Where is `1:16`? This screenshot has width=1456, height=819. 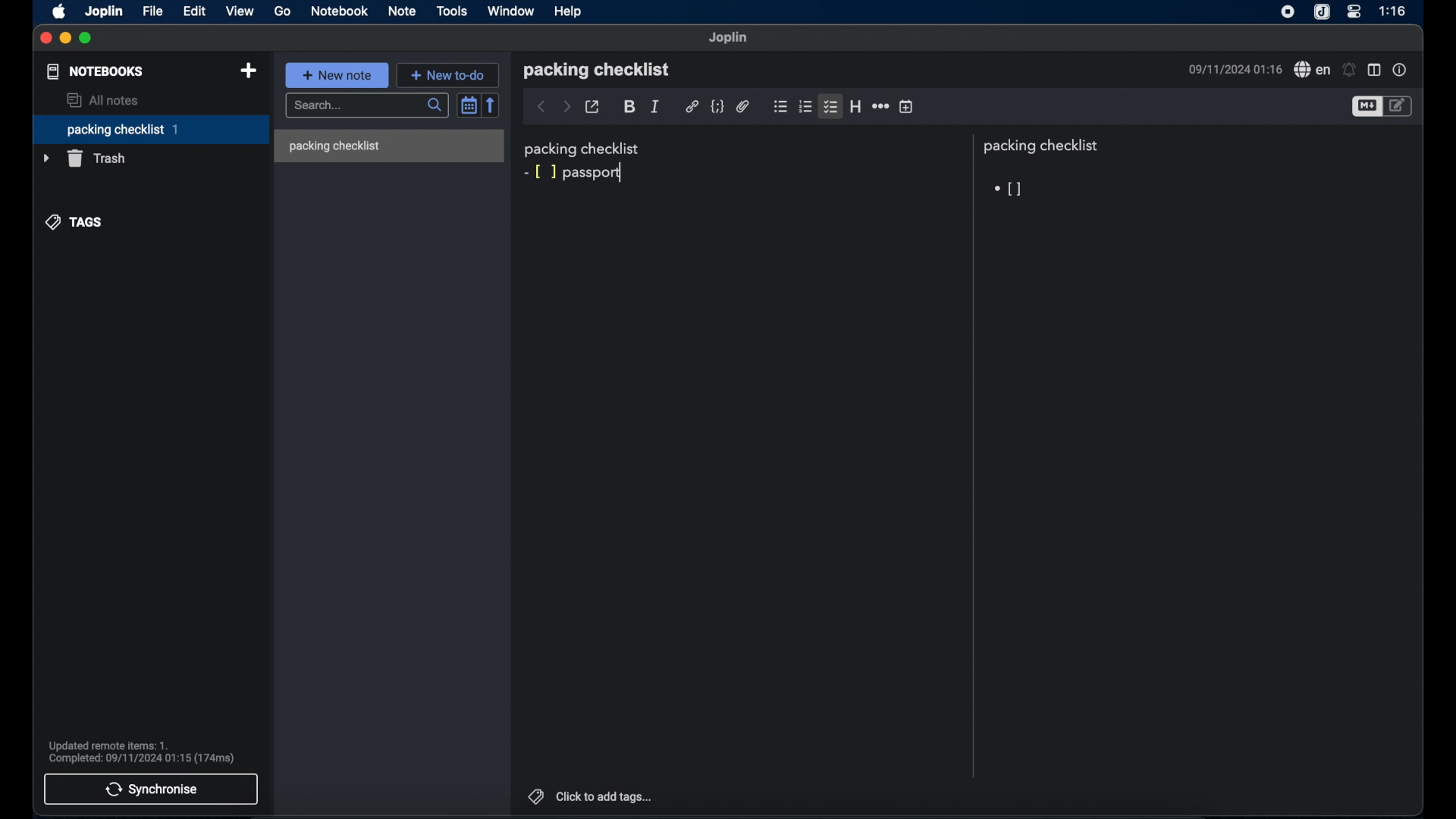
1:16 is located at coordinates (1394, 11).